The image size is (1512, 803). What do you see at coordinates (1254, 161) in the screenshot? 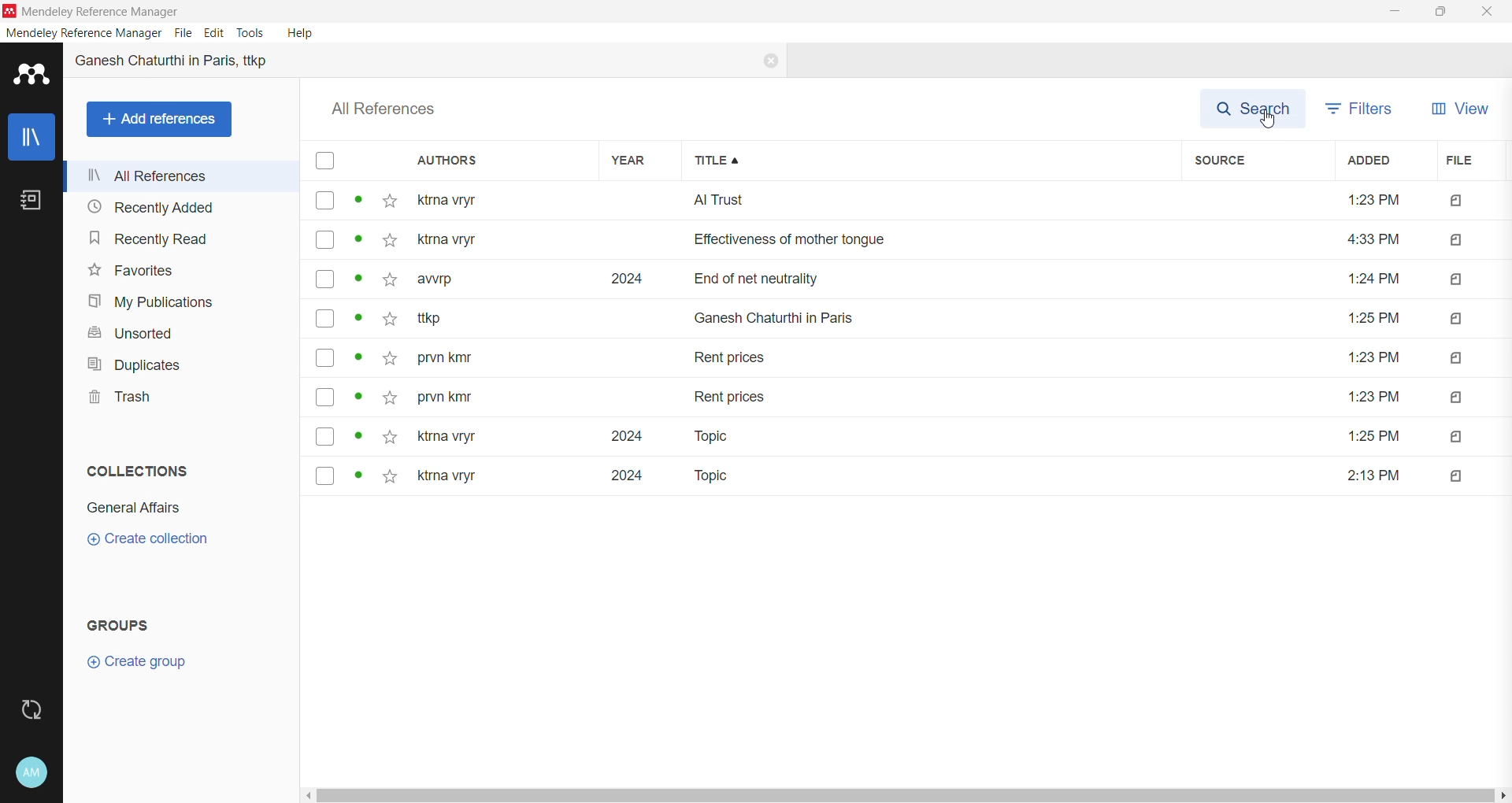
I see `Source` at bounding box center [1254, 161].